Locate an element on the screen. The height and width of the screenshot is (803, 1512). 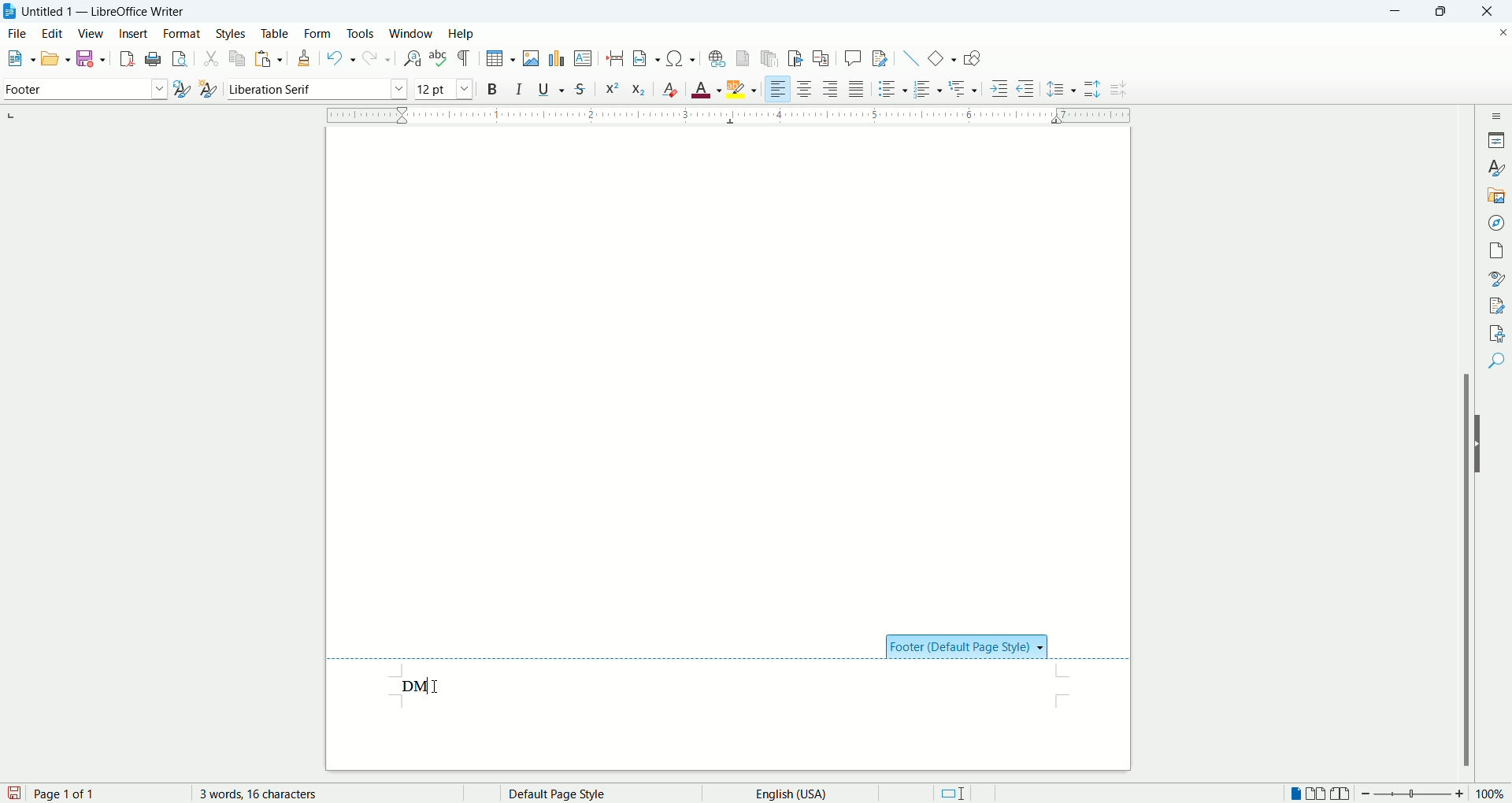
font name is located at coordinates (317, 89).